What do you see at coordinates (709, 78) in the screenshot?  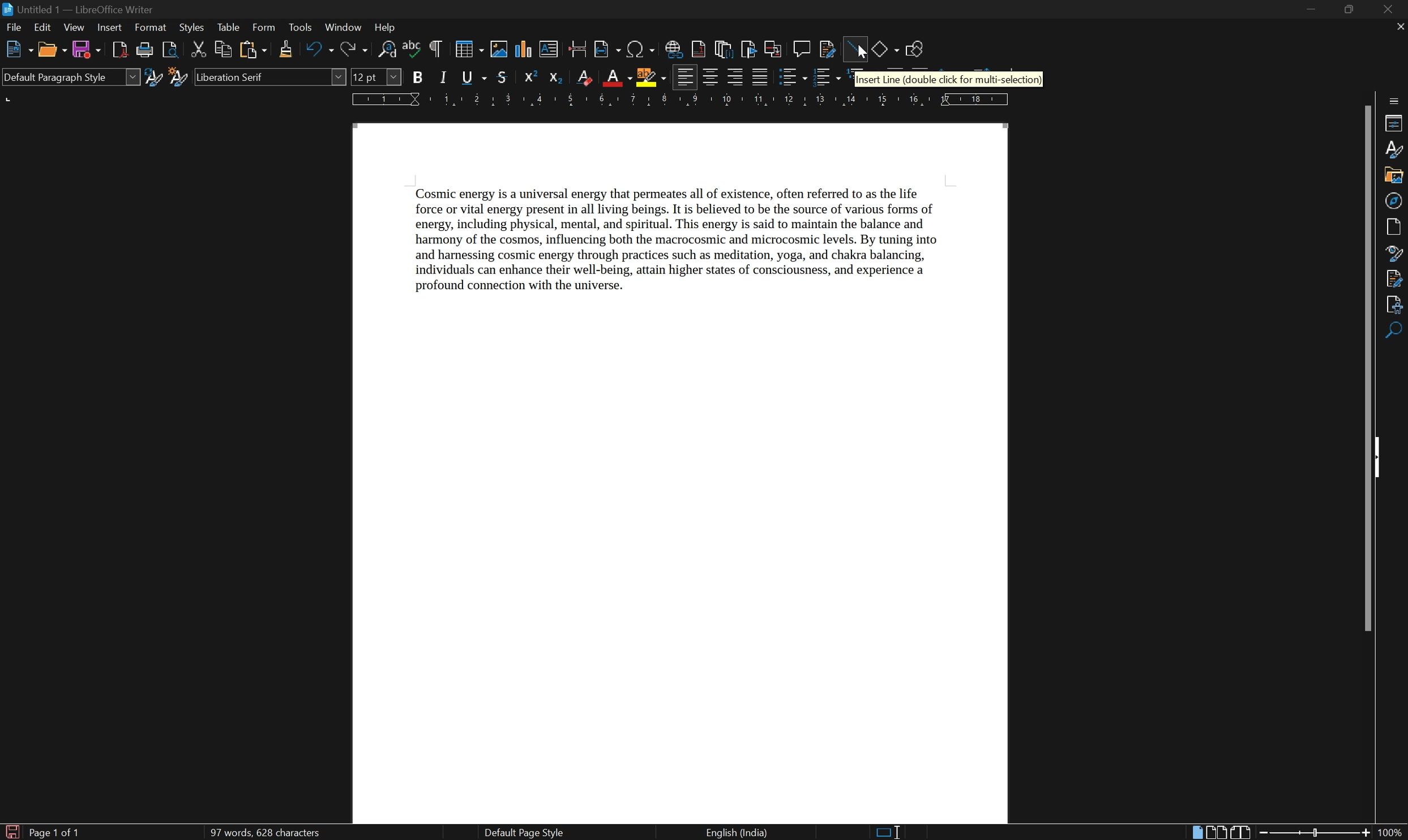 I see `align center` at bounding box center [709, 78].